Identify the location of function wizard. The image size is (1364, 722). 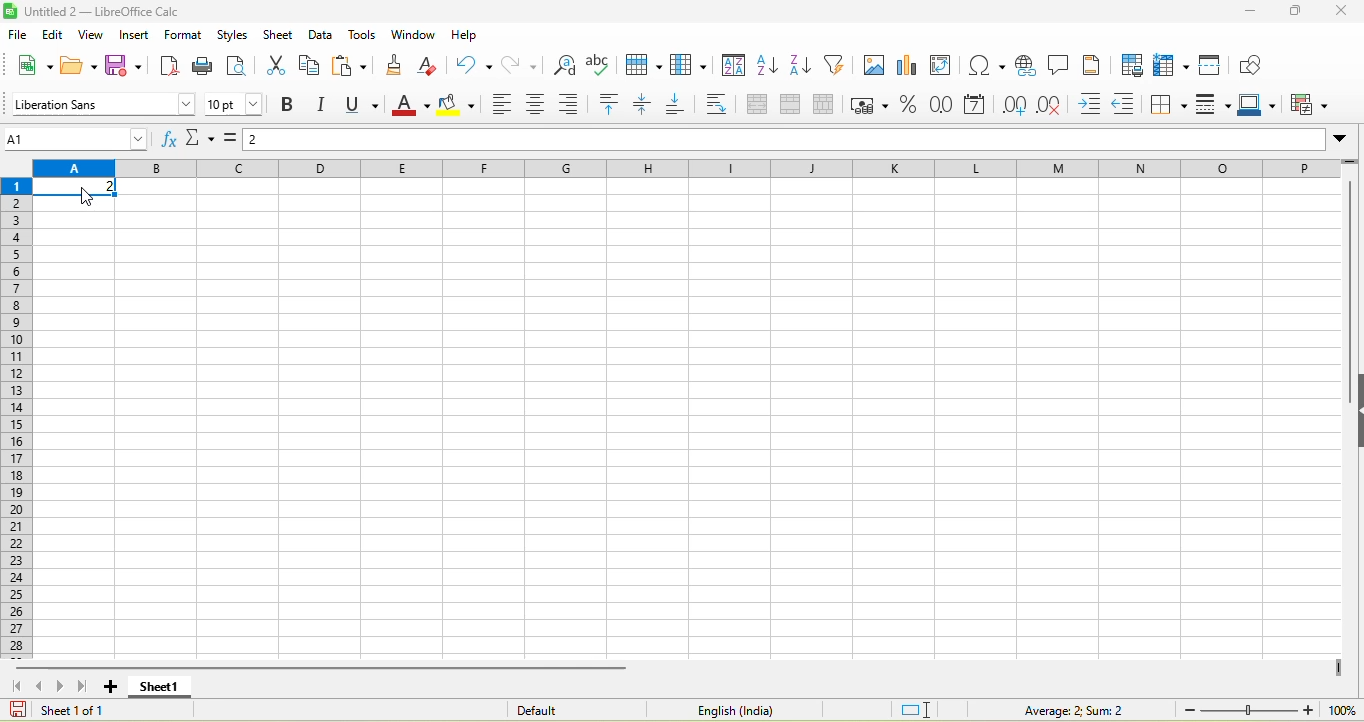
(169, 139).